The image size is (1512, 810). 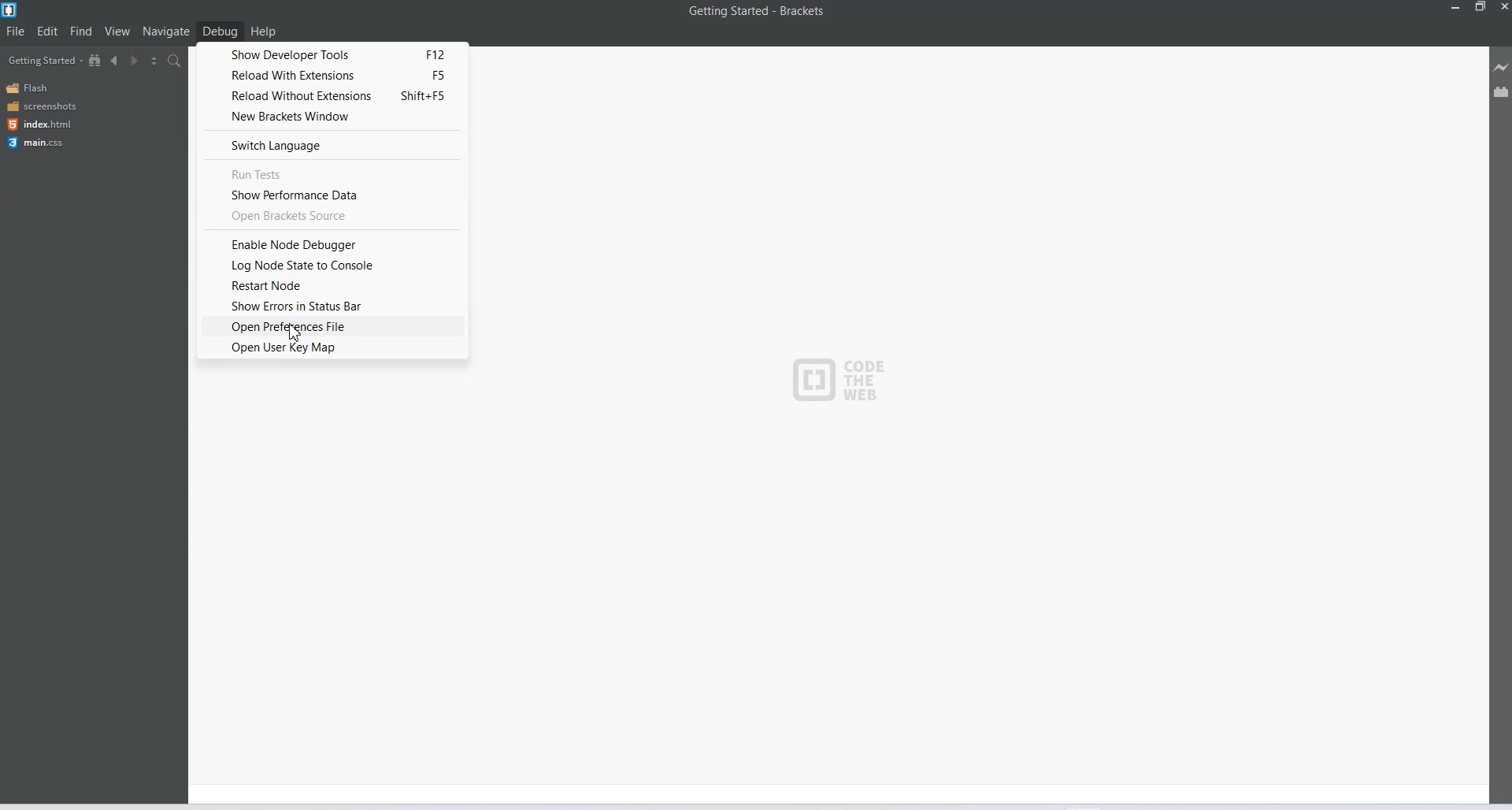 What do you see at coordinates (1502, 95) in the screenshot?
I see `Extension Manager` at bounding box center [1502, 95].